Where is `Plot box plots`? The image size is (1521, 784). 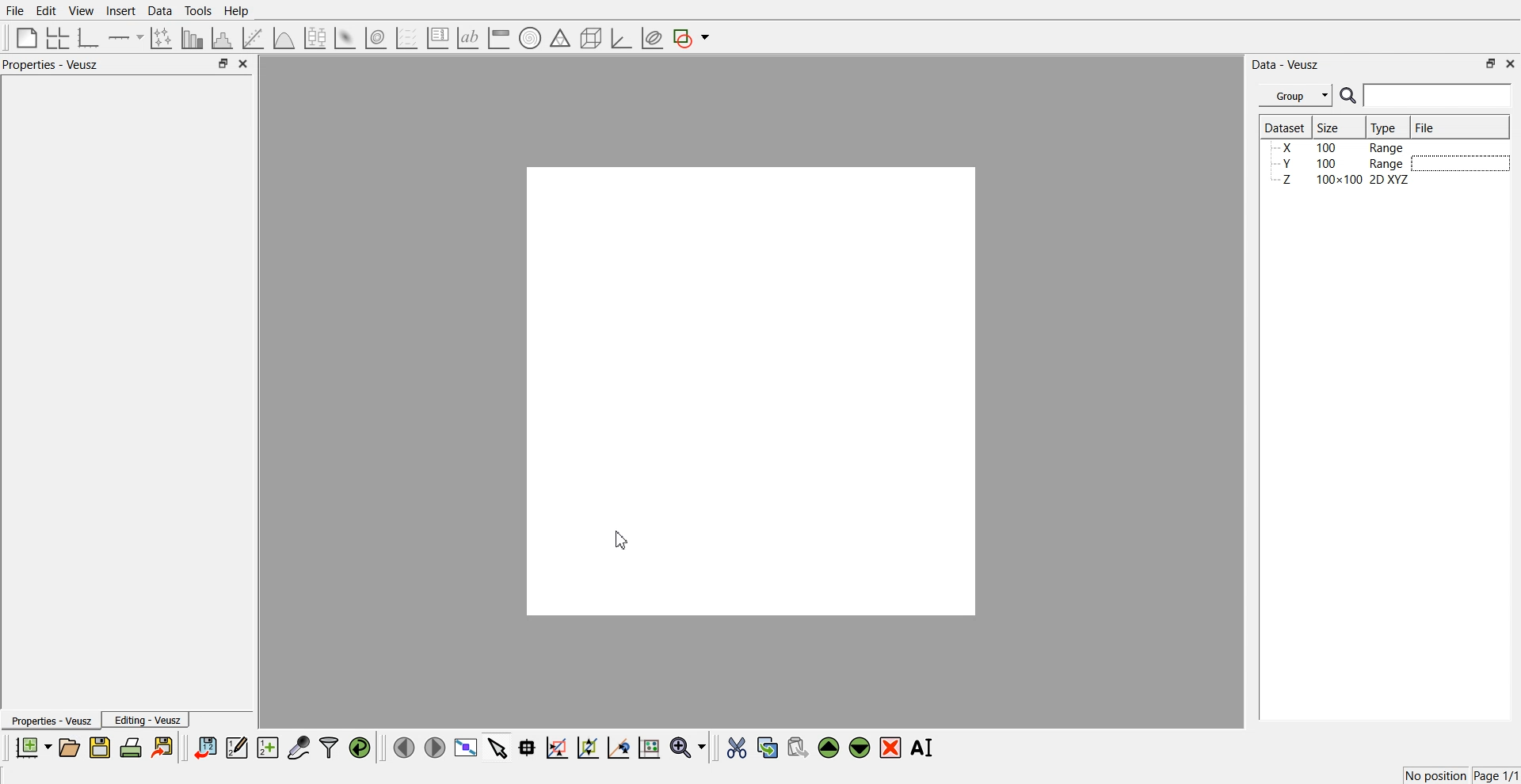
Plot box plots is located at coordinates (315, 38).